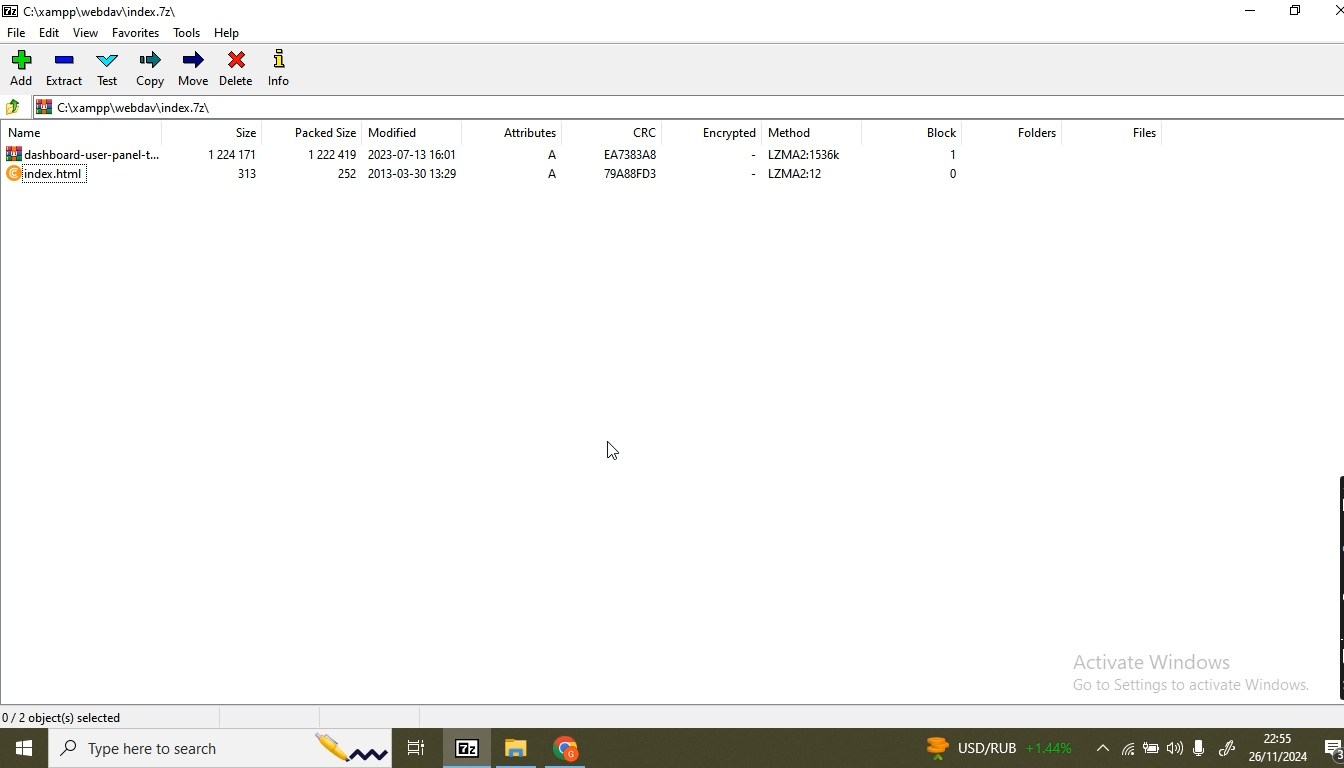  Describe the element at coordinates (137, 33) in the screenshot. I see `favorites` at that location.